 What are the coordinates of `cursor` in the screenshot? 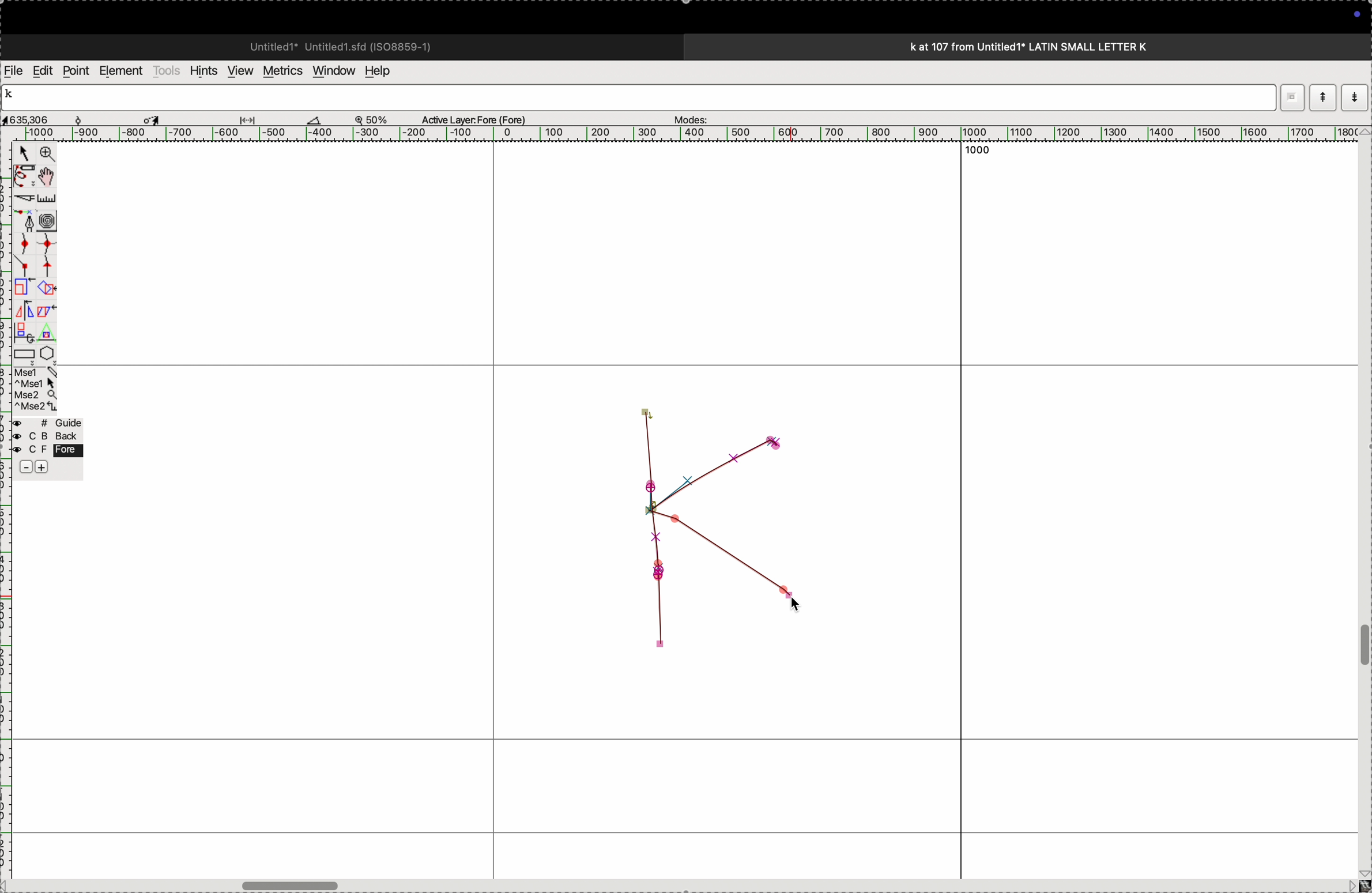 It's located at (24, 155).